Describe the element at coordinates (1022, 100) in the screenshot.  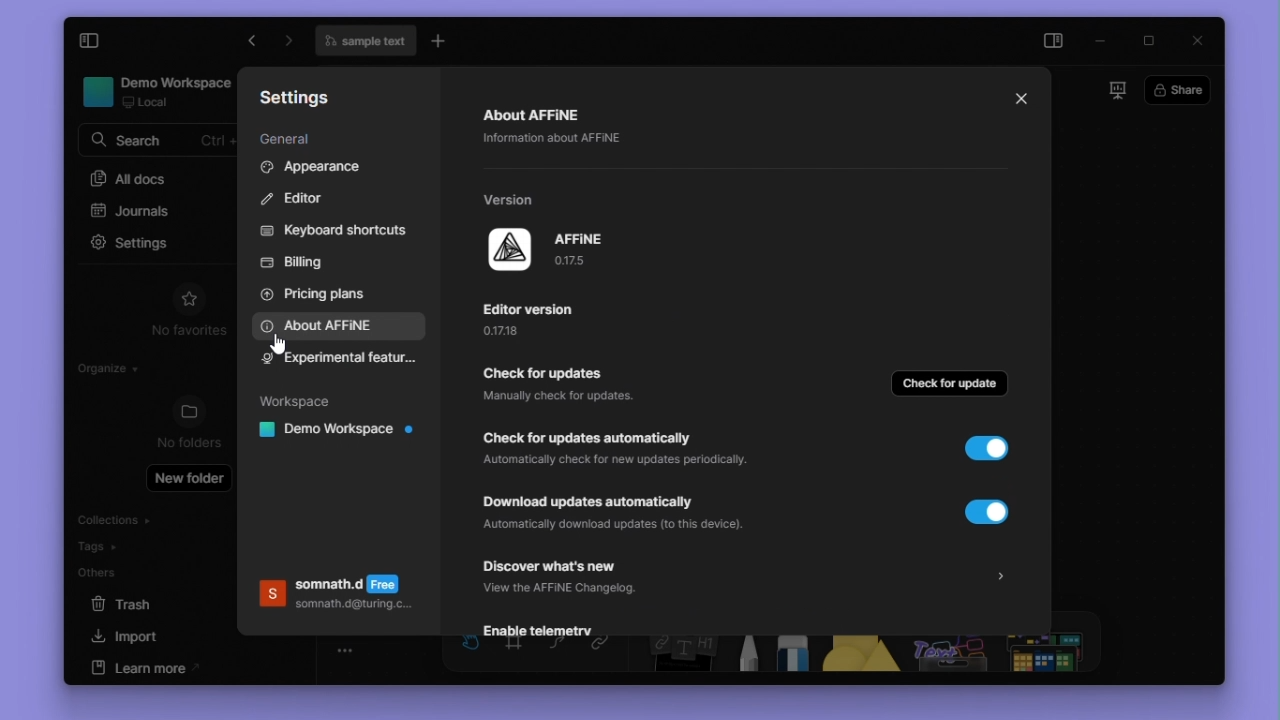
I see `close` at that location.